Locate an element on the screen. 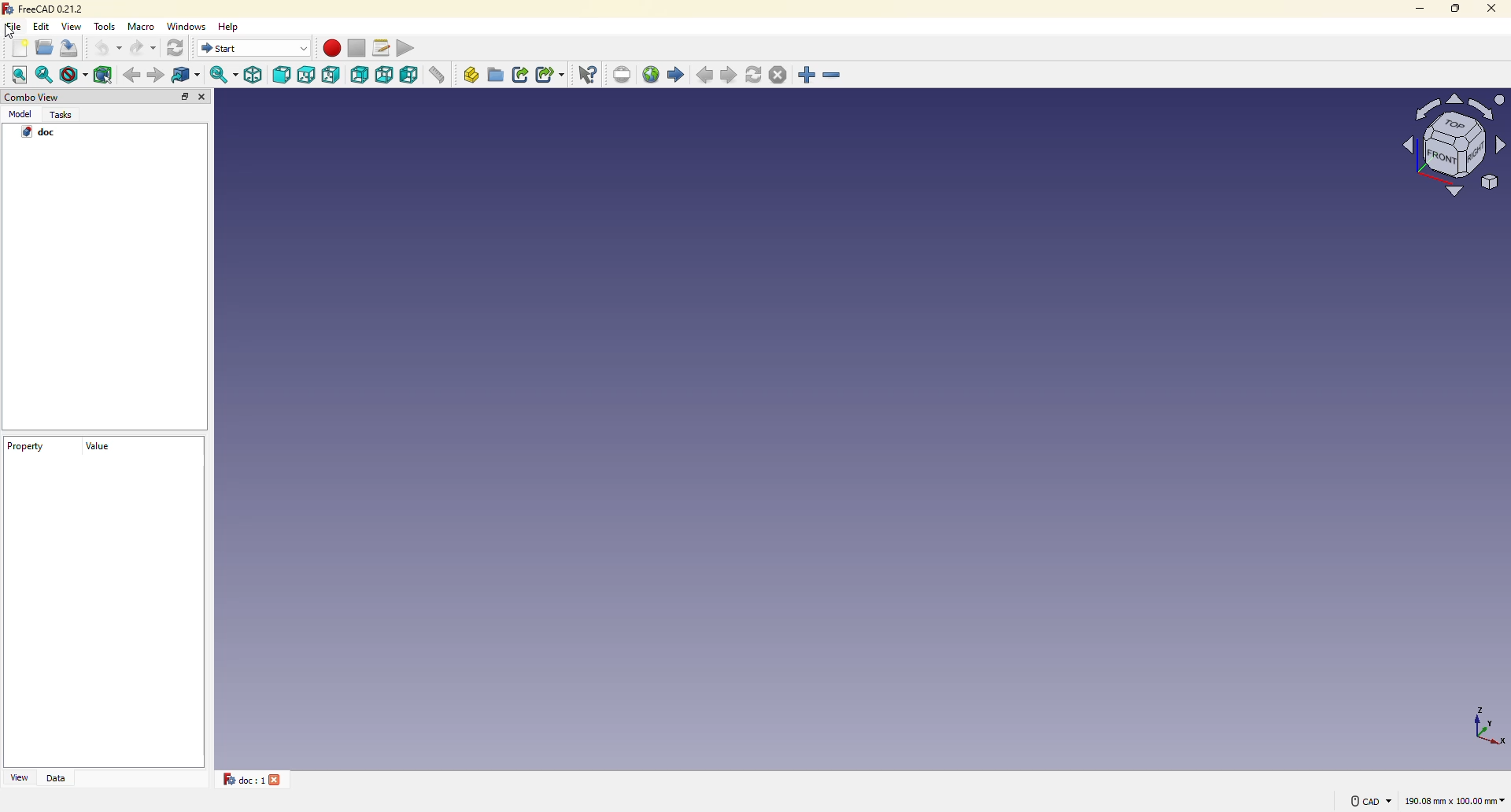 The width and height of the screenshot is (1511, 812). previous page is located at coordinates (707, 76).